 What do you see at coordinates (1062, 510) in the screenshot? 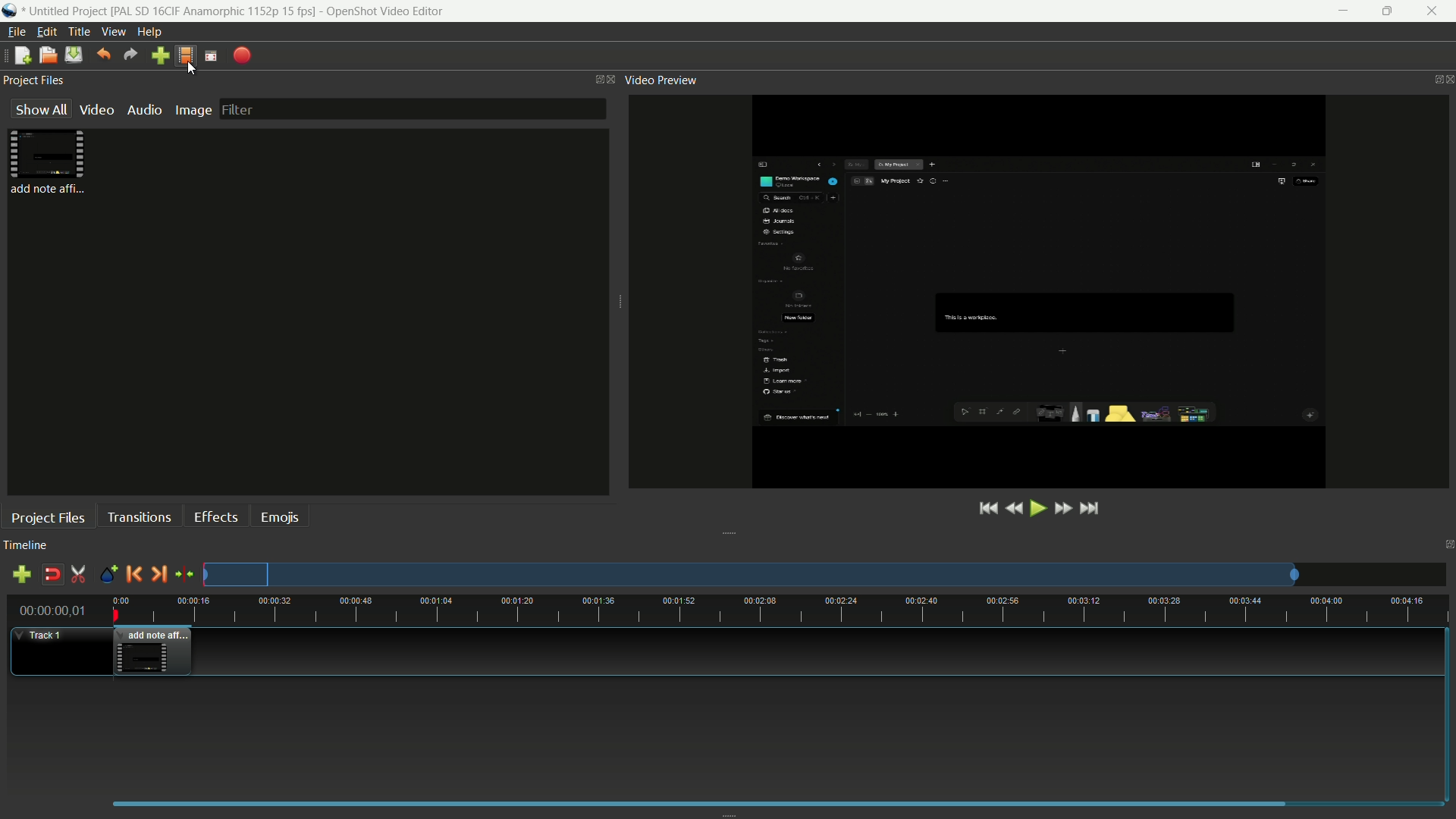
I see `fast sorward` at bounding box center [1062, 510].